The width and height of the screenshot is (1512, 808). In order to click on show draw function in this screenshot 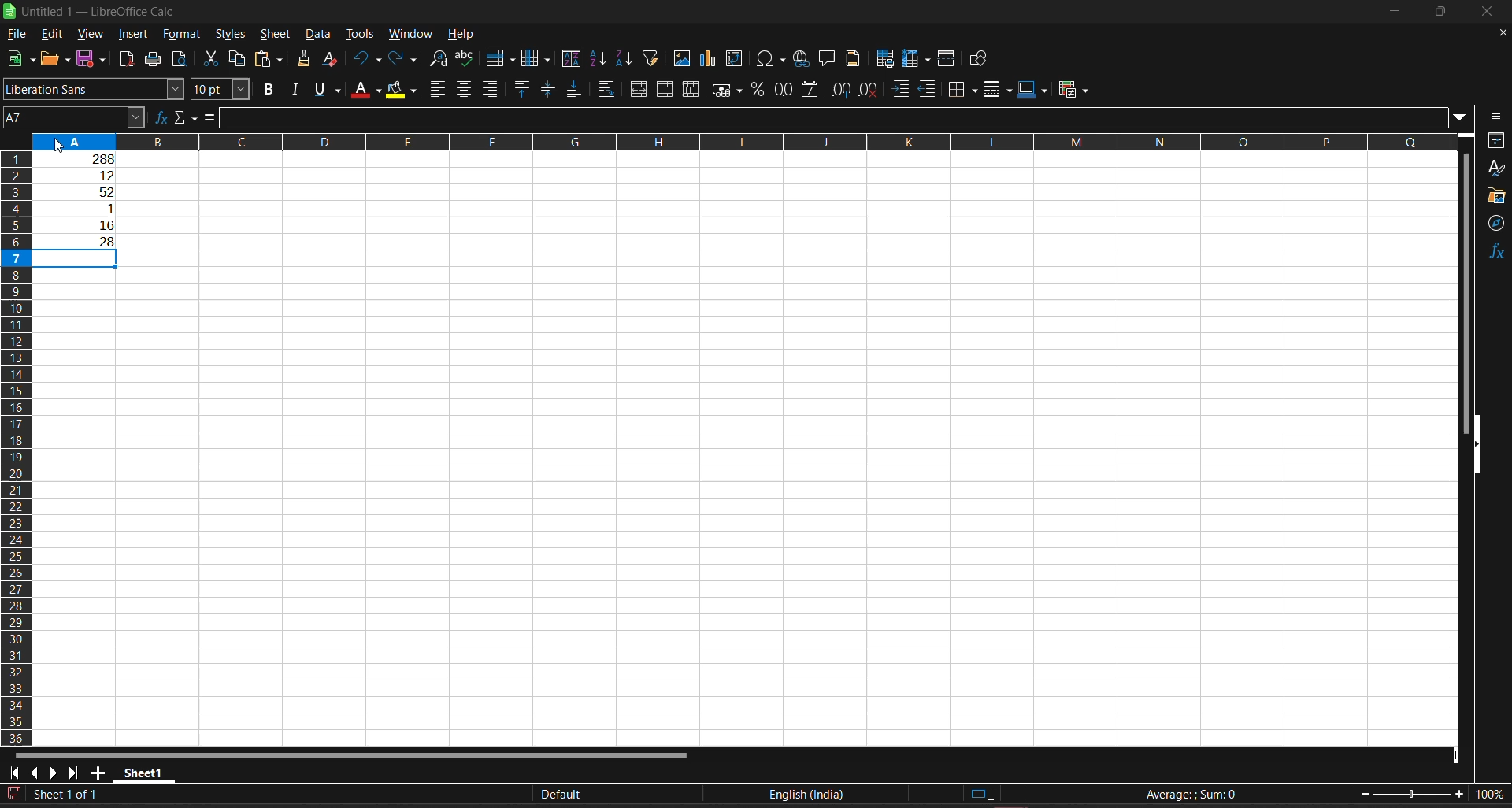, I will do `click(982, 59)`.